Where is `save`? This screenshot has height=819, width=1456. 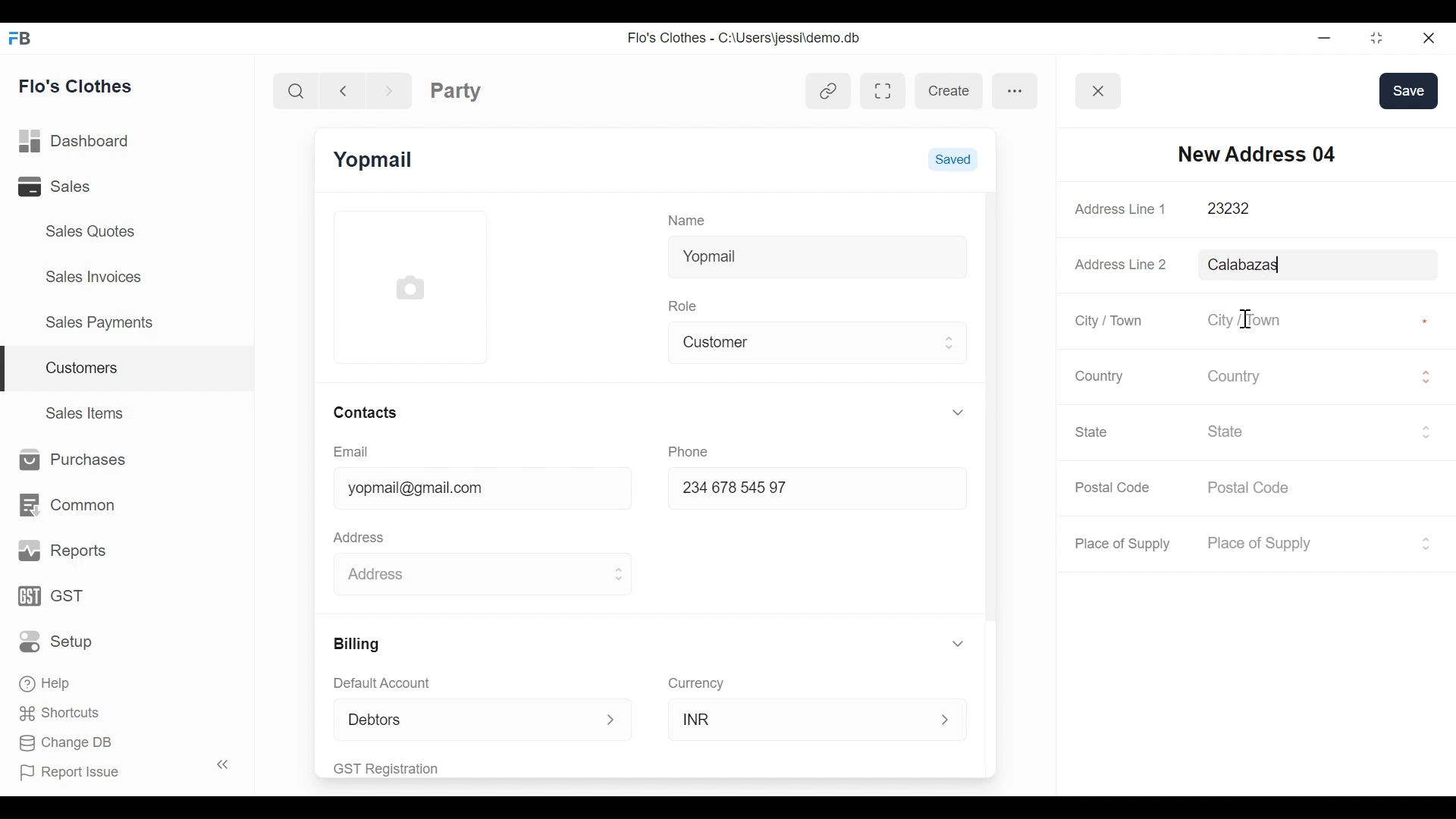
save is located at coordinates (1408, 90).